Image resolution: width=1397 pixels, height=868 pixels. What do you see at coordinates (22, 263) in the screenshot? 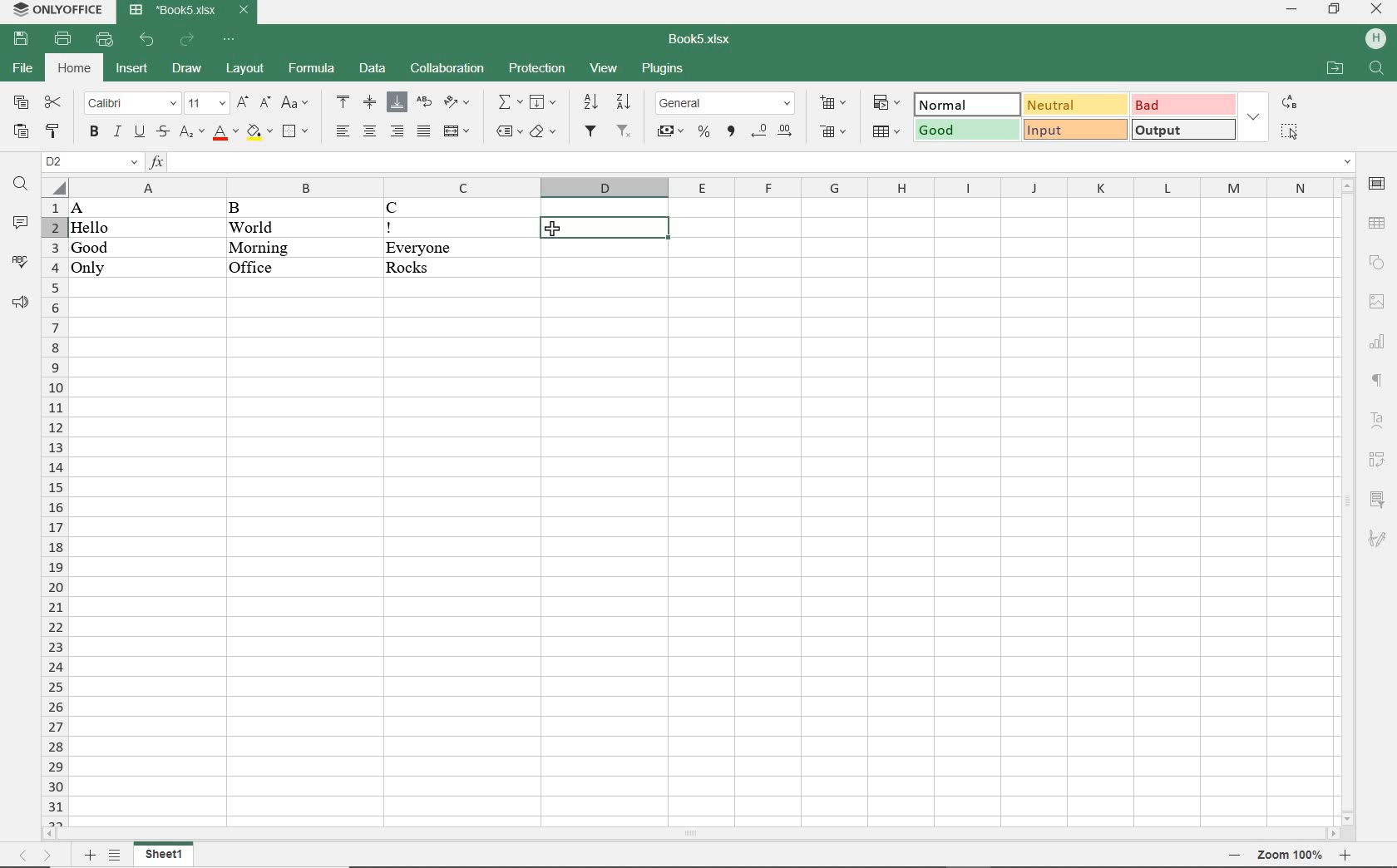
I see `spelling check` at bounding box center [22, 263].